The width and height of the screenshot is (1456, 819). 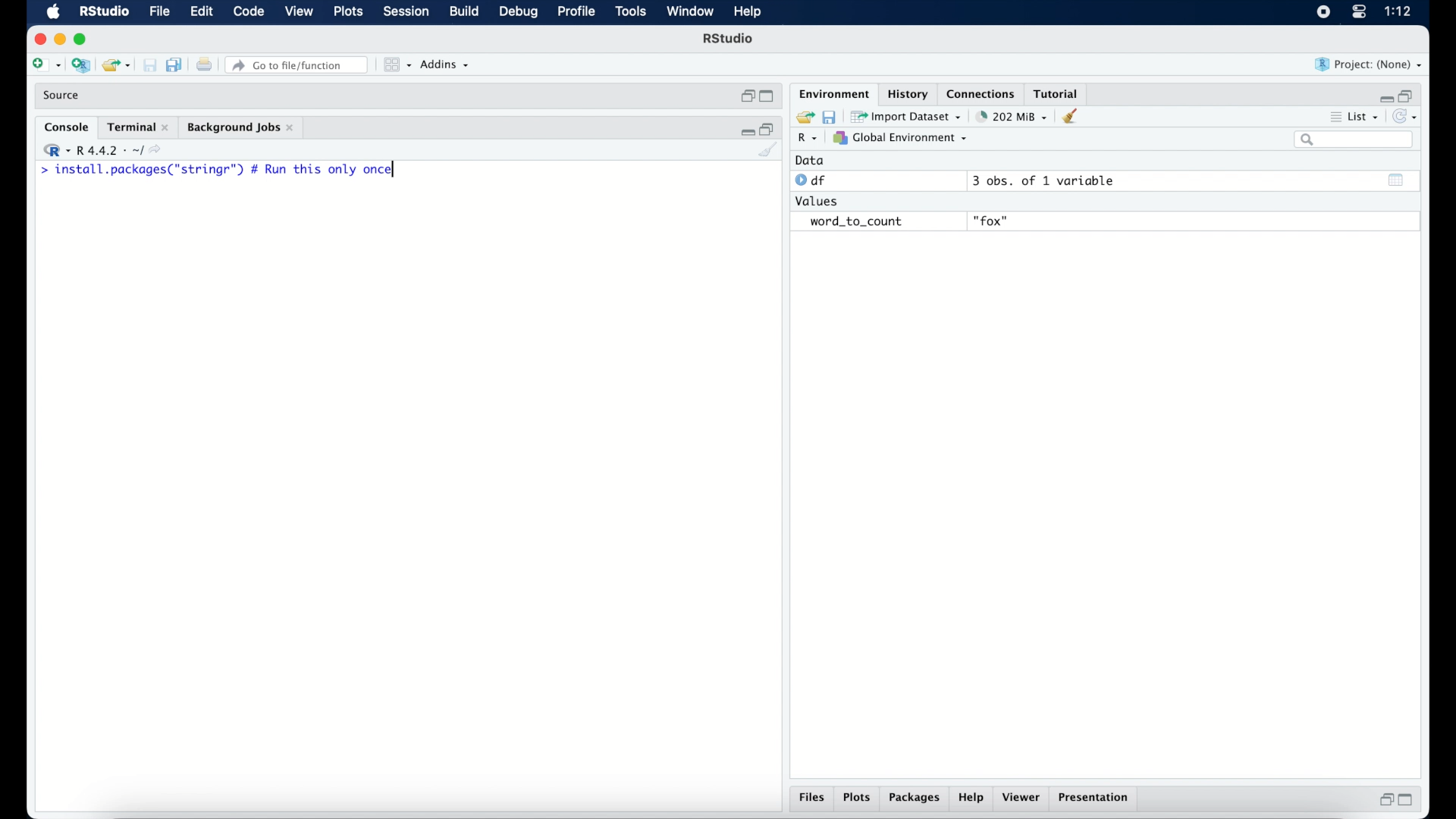 What do you see at coordinates (445, 64) in the screenshot?
I see `addins` at bounding box center [445, 64].